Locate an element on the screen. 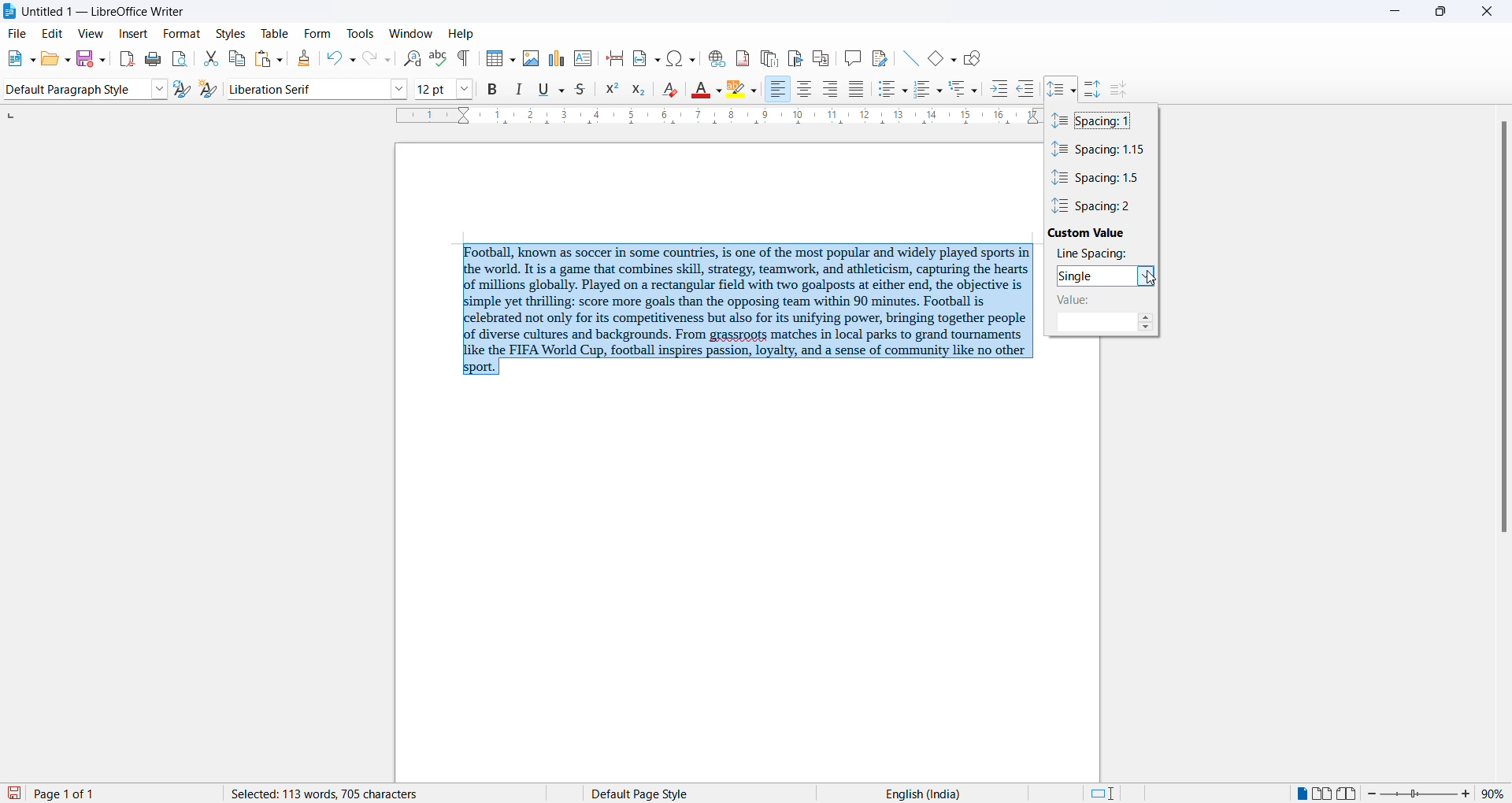 Image resolution: width=1512 pixels, height=803 pixels. create new style from selections is located at coordinates (209, 89).